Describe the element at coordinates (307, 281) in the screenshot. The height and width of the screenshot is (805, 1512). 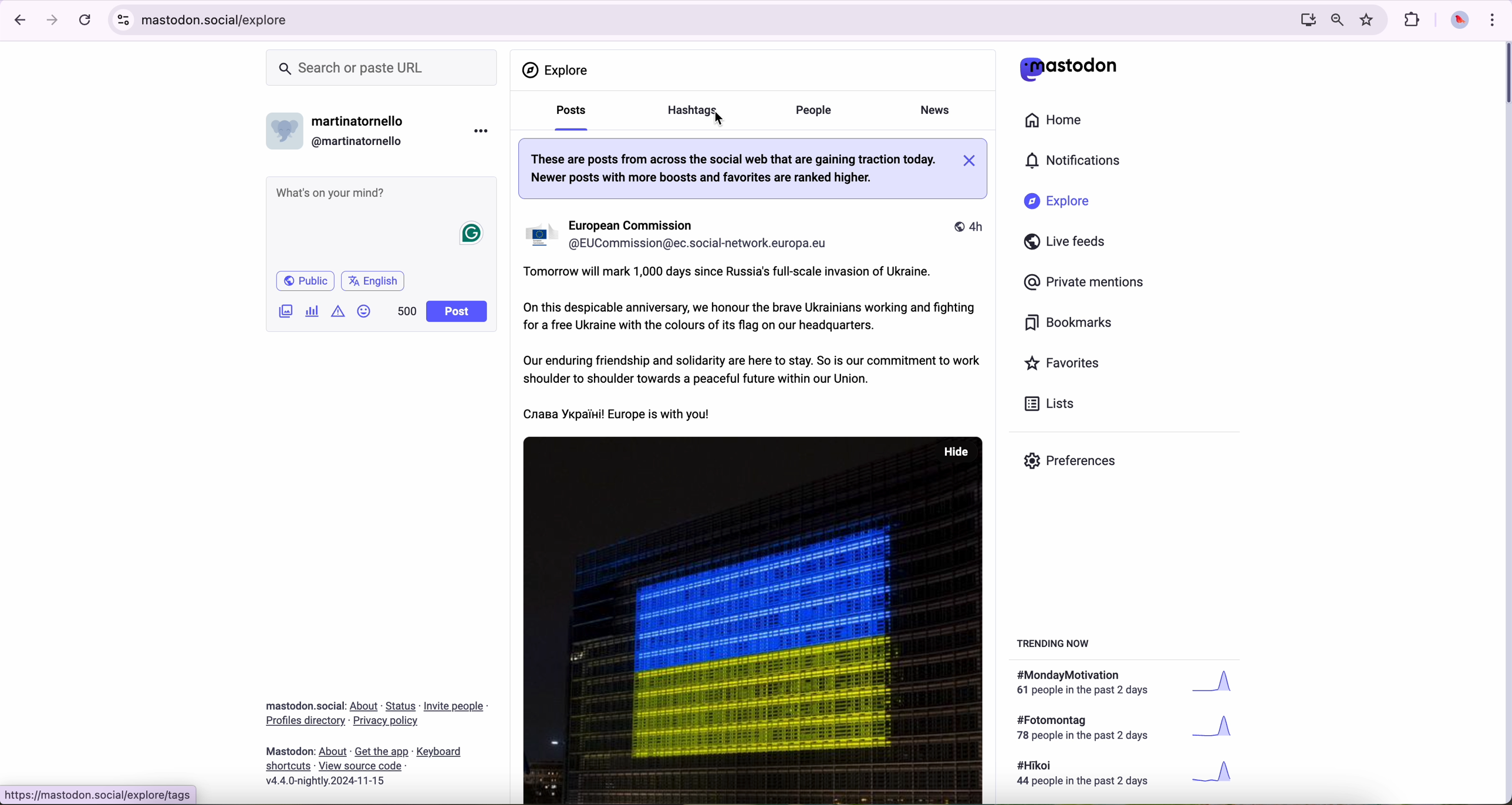
I see `public` at that location.